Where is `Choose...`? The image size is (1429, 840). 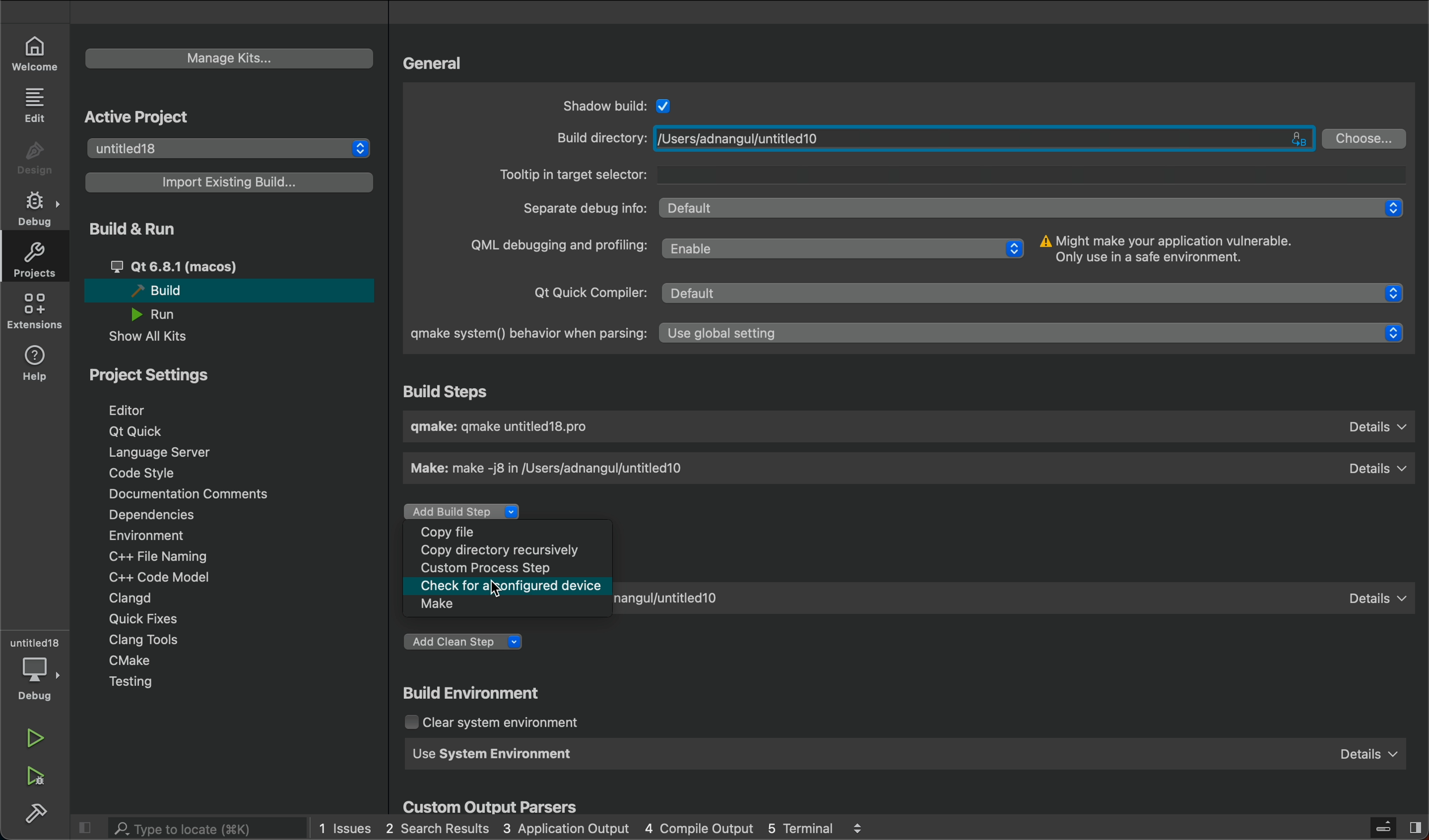
Choose... is located at coordinates (1365, 139).